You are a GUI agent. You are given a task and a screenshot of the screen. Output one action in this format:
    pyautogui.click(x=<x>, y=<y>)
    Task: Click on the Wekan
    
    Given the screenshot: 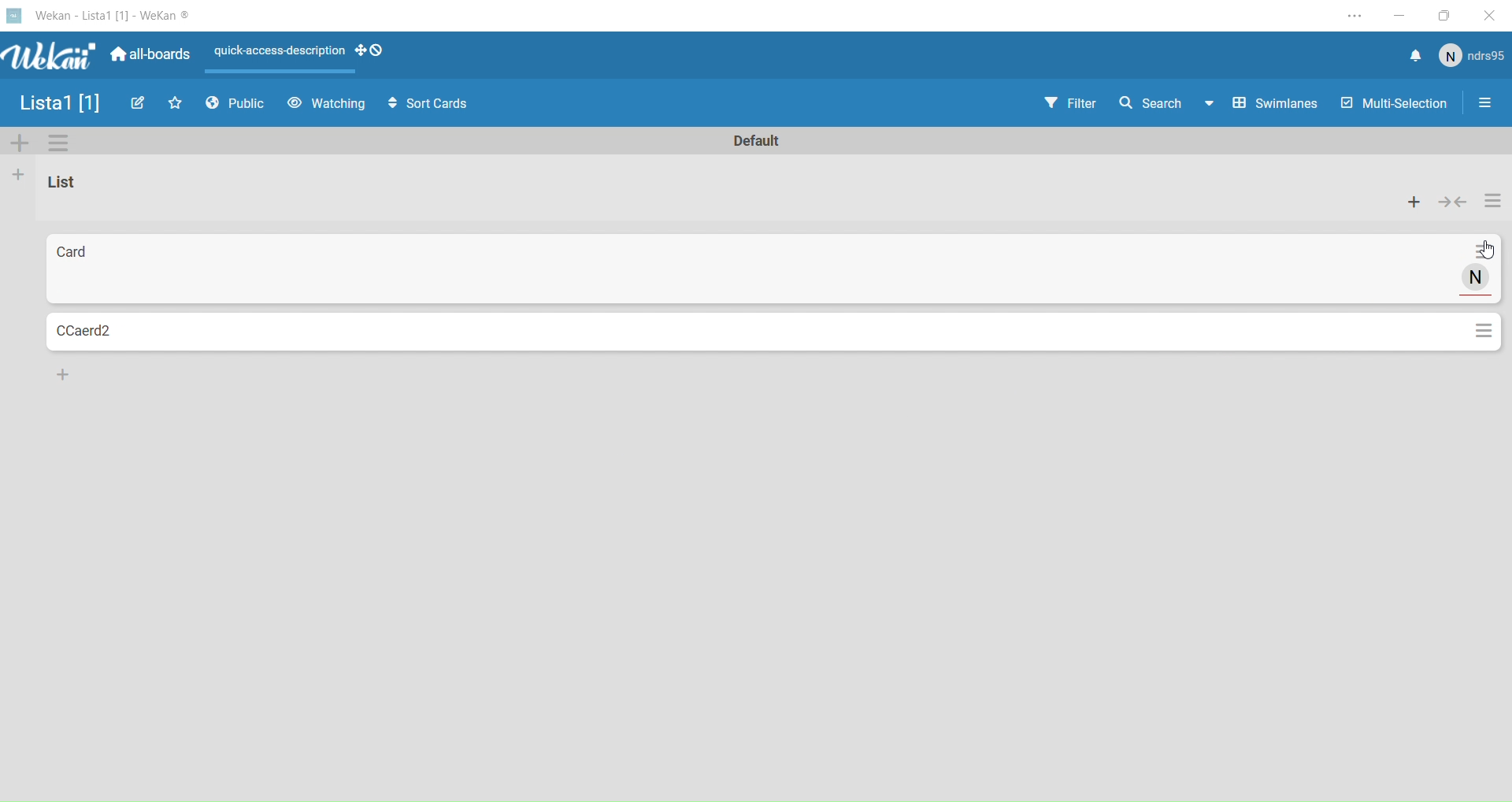 What is the action you would take?
    pyautogui.click(x=109, y=15)
    